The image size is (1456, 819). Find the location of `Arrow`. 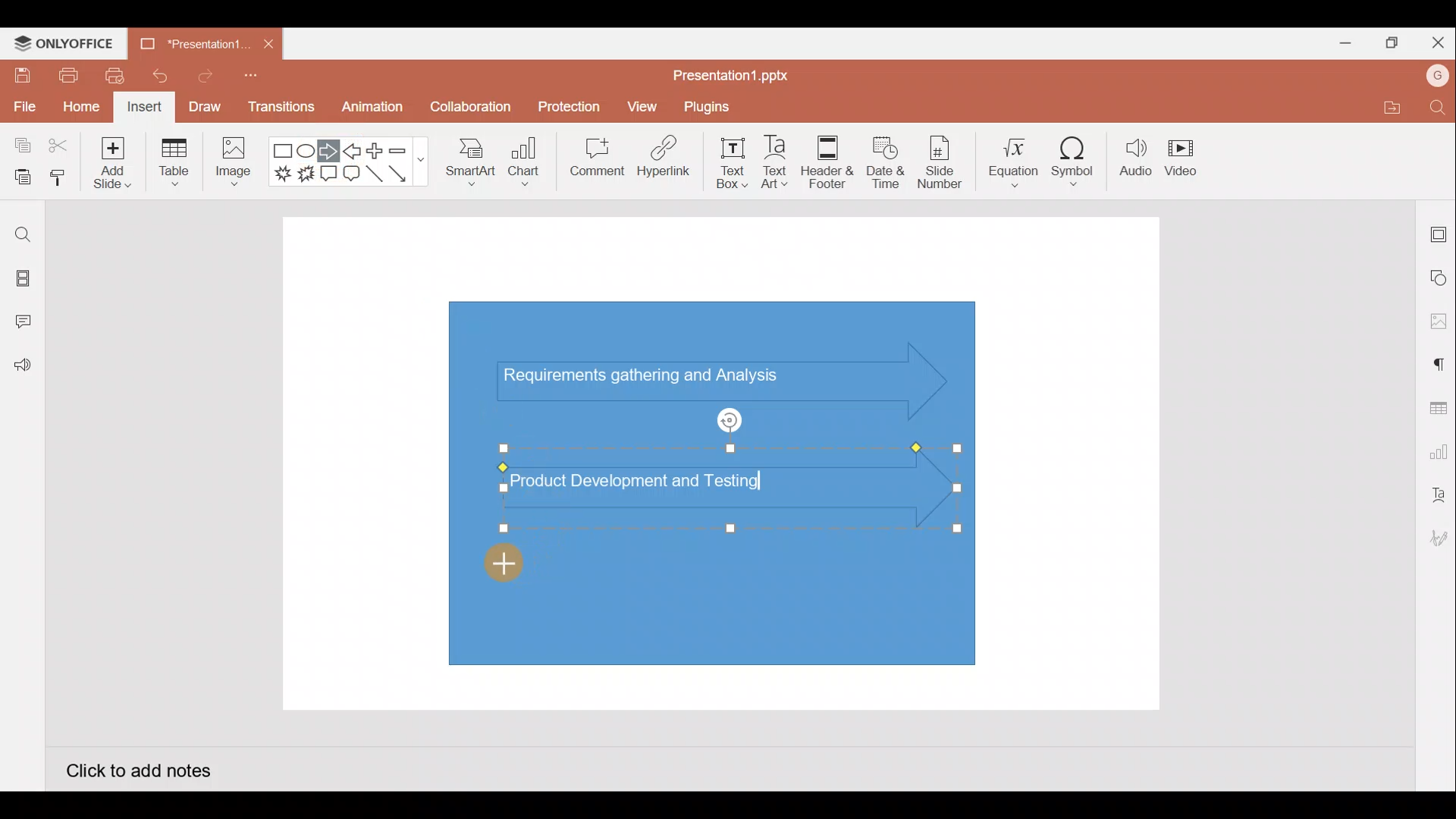

Arrow is located at coordinates (406, 174).